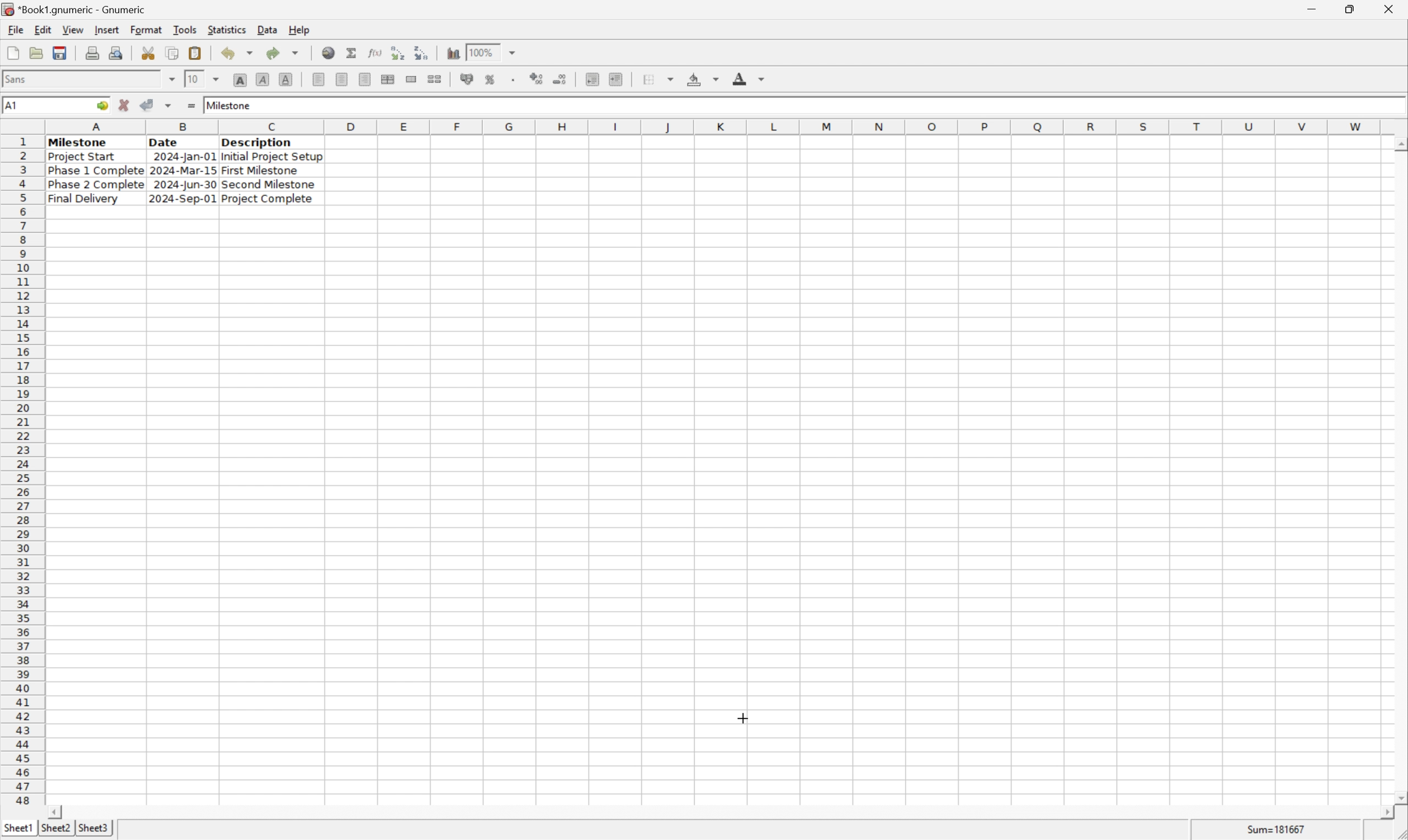 The width and height of the screenshot is (1408, 840). I want to click on cut, so click(149, 53).